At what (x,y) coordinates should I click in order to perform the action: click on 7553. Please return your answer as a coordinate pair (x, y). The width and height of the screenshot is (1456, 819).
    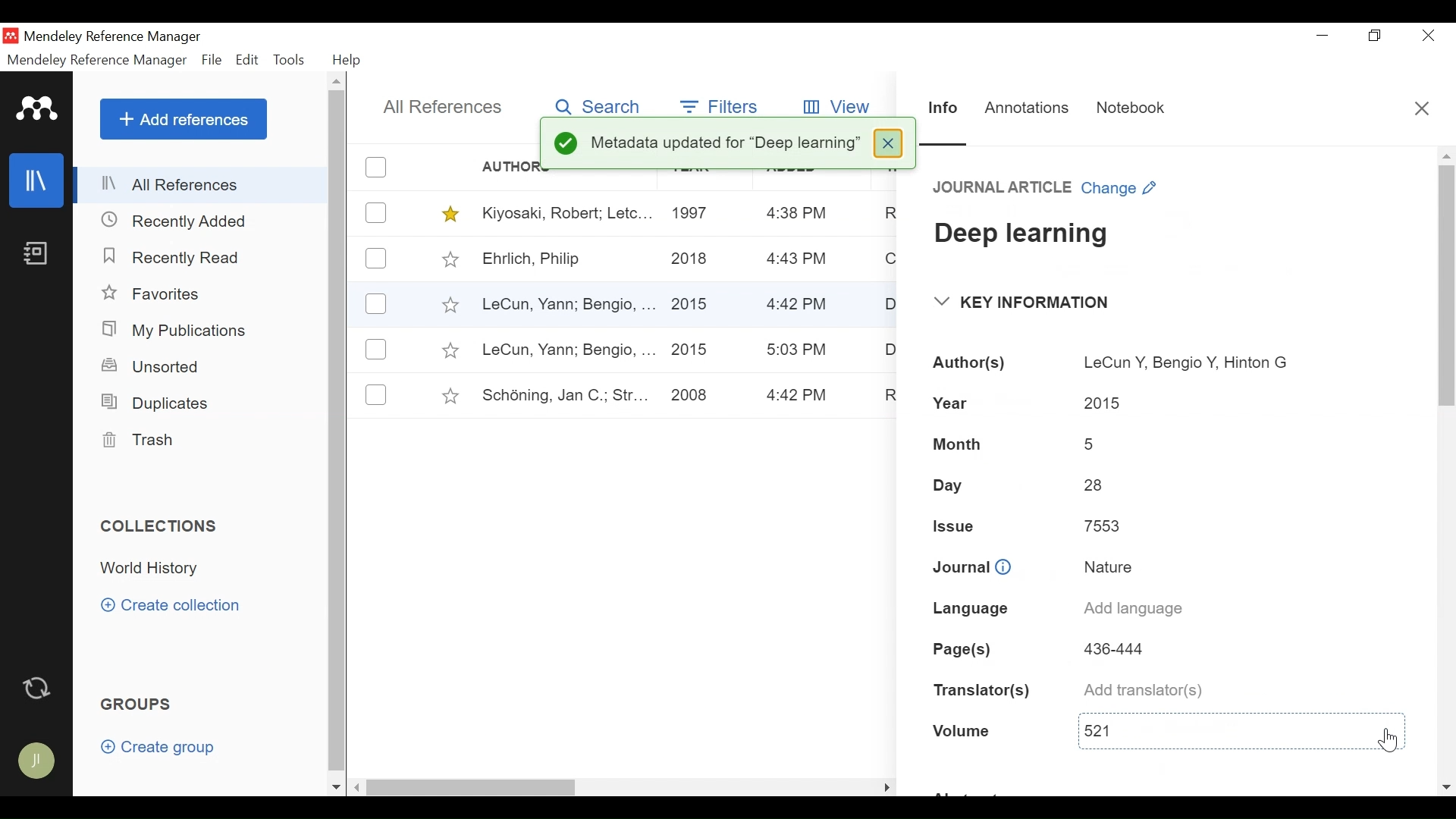
    Looking at the image, I should click on (1102, 526).